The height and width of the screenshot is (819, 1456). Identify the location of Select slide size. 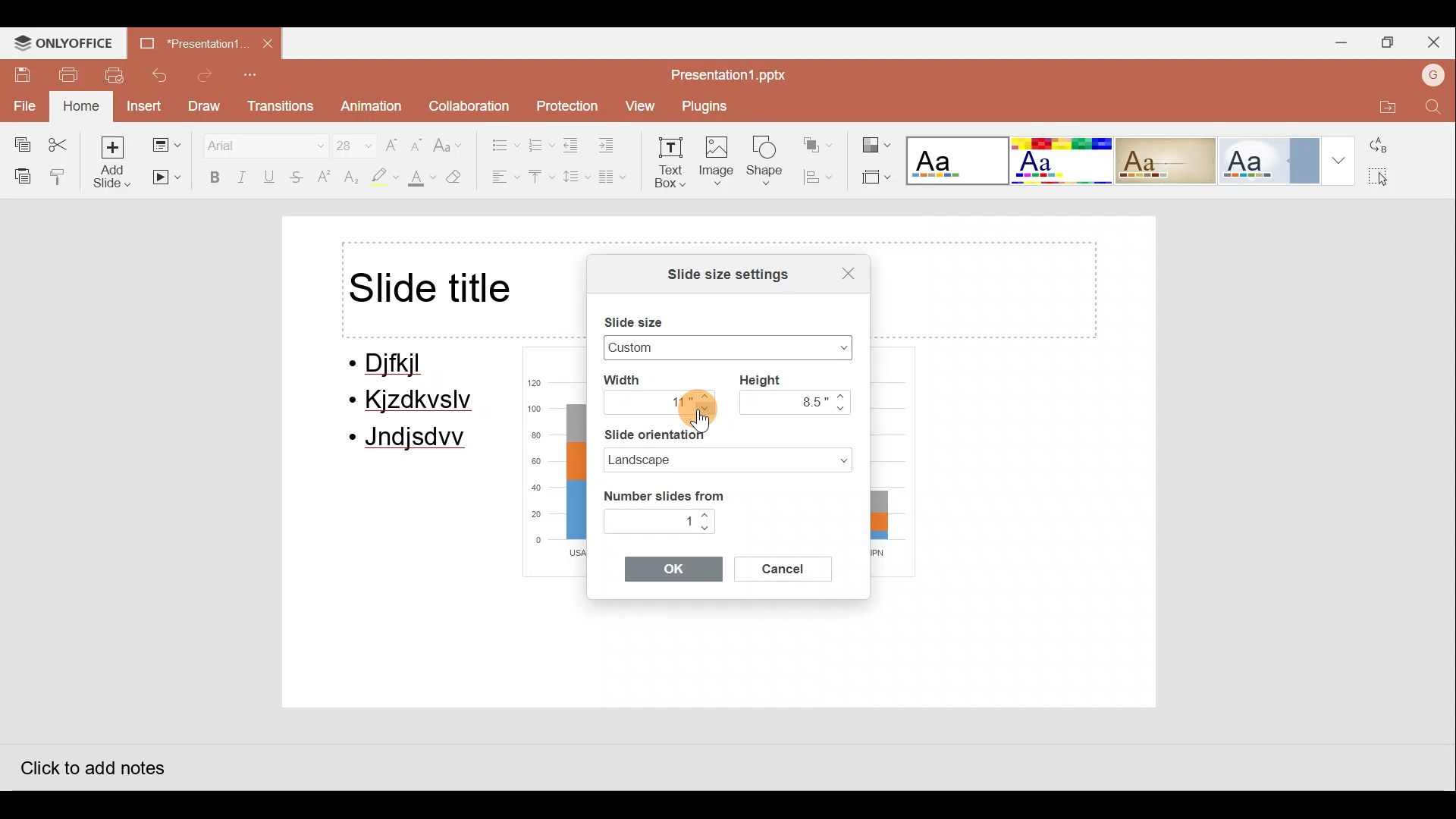
(874, 178).